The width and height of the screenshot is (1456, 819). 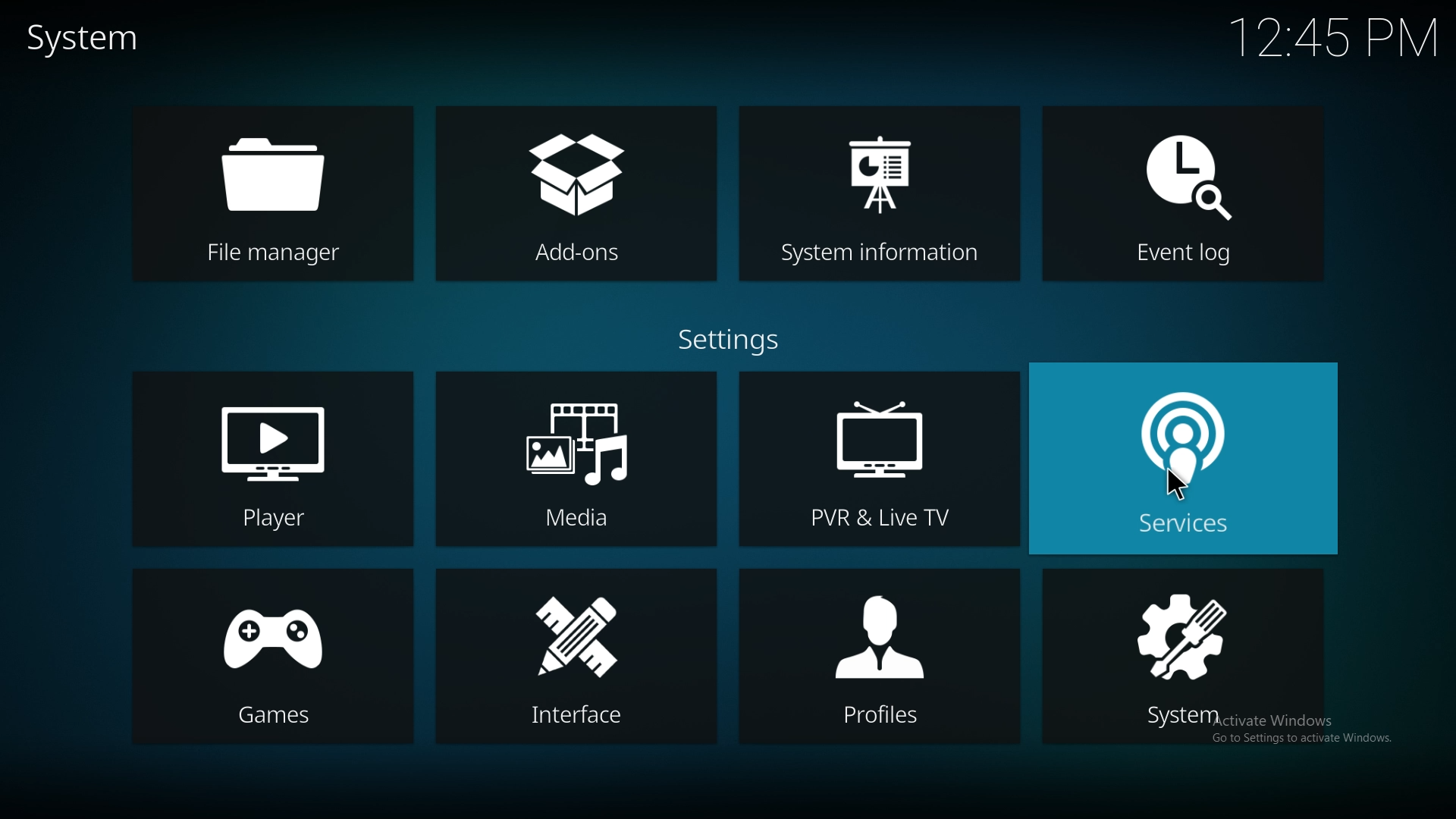 What do you see at coordinates (1176, 485) in the screenshot?
I see `cursor` at bounding box center [1176, 485].